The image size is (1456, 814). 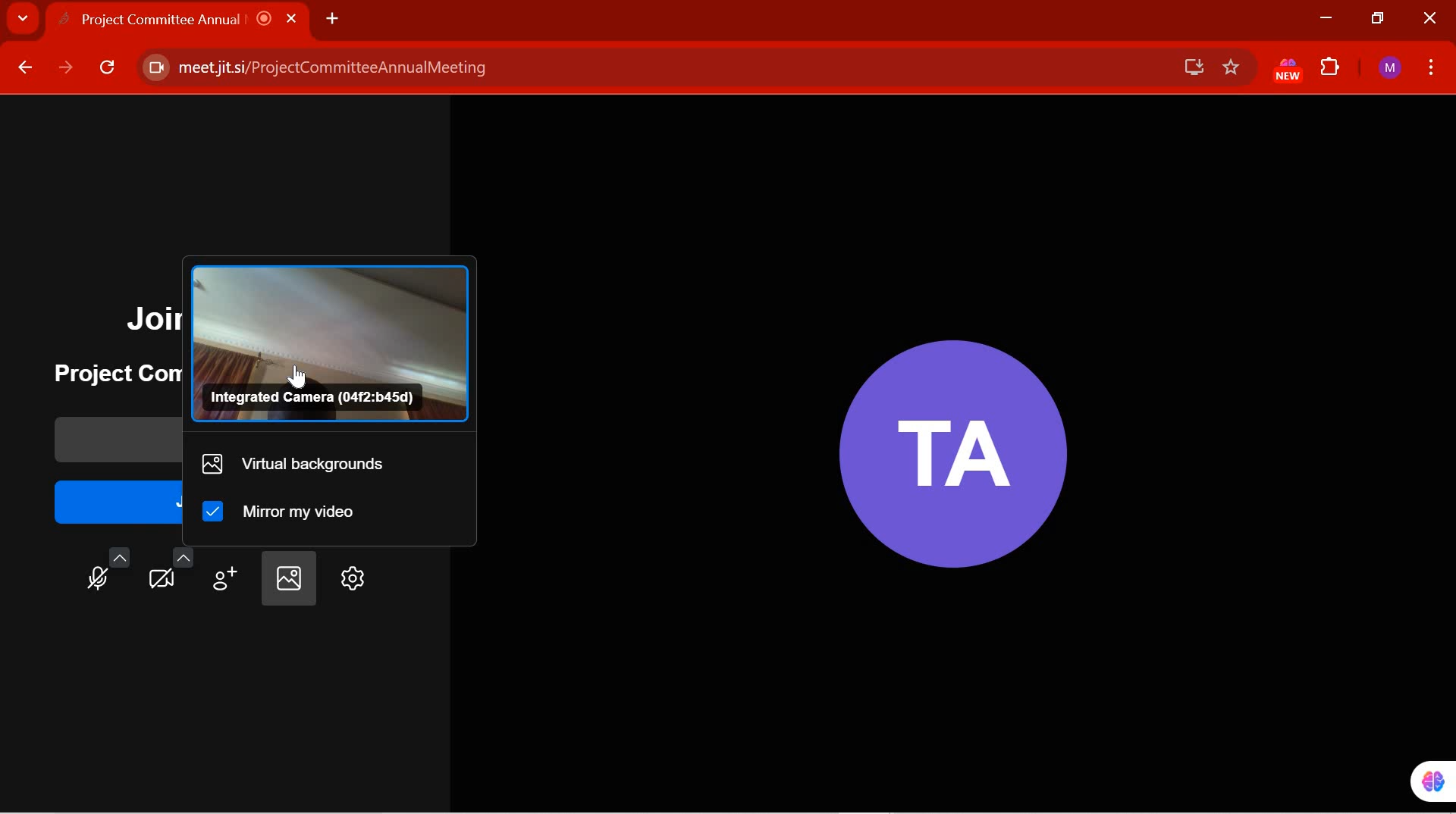 What do you see at coordinates (154, 68) in the screenshot?
I see `Camera enabled` at bounding box center [154, 68].